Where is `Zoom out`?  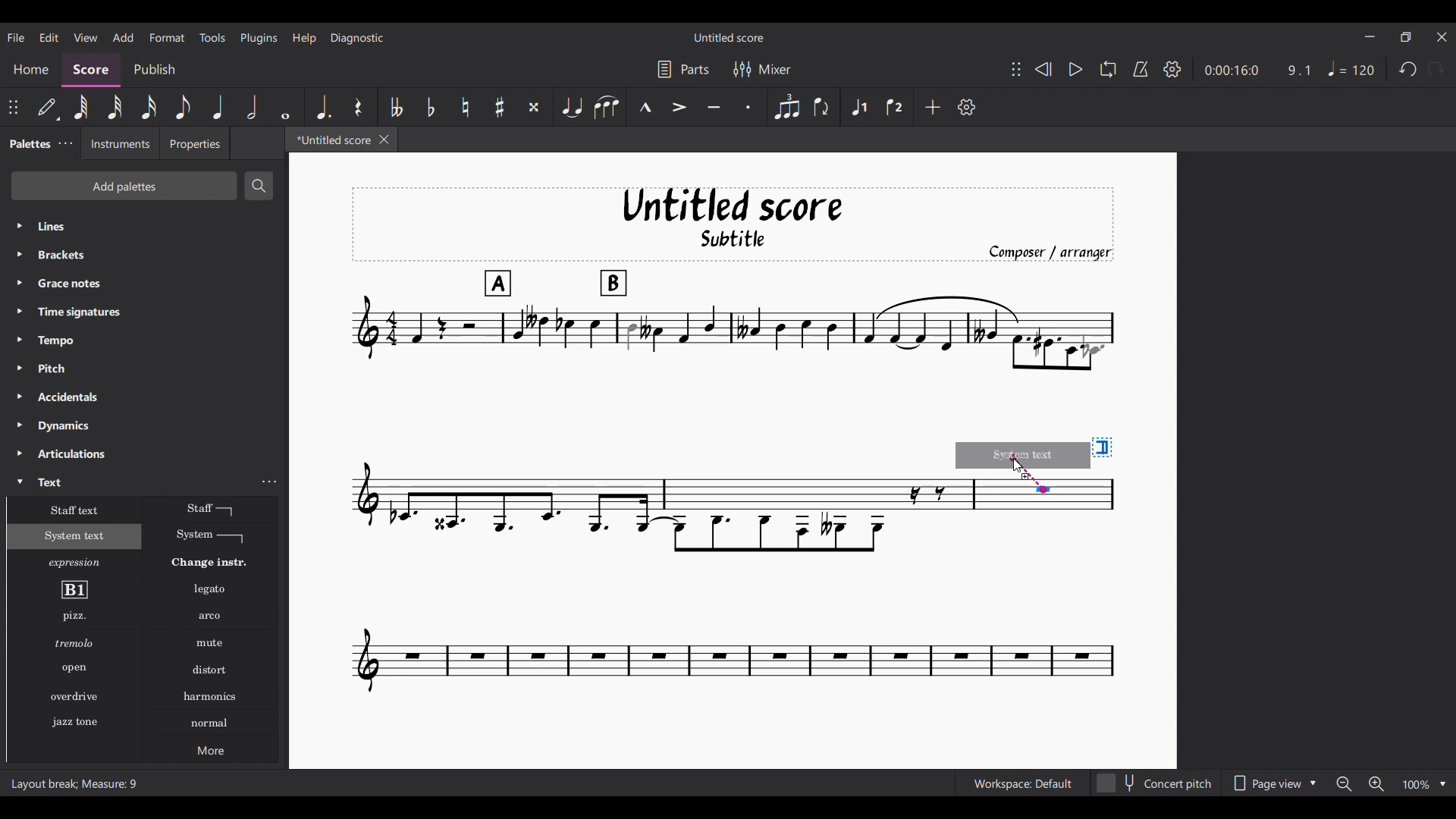
Zoom out is located at coordinates (1345, 783).